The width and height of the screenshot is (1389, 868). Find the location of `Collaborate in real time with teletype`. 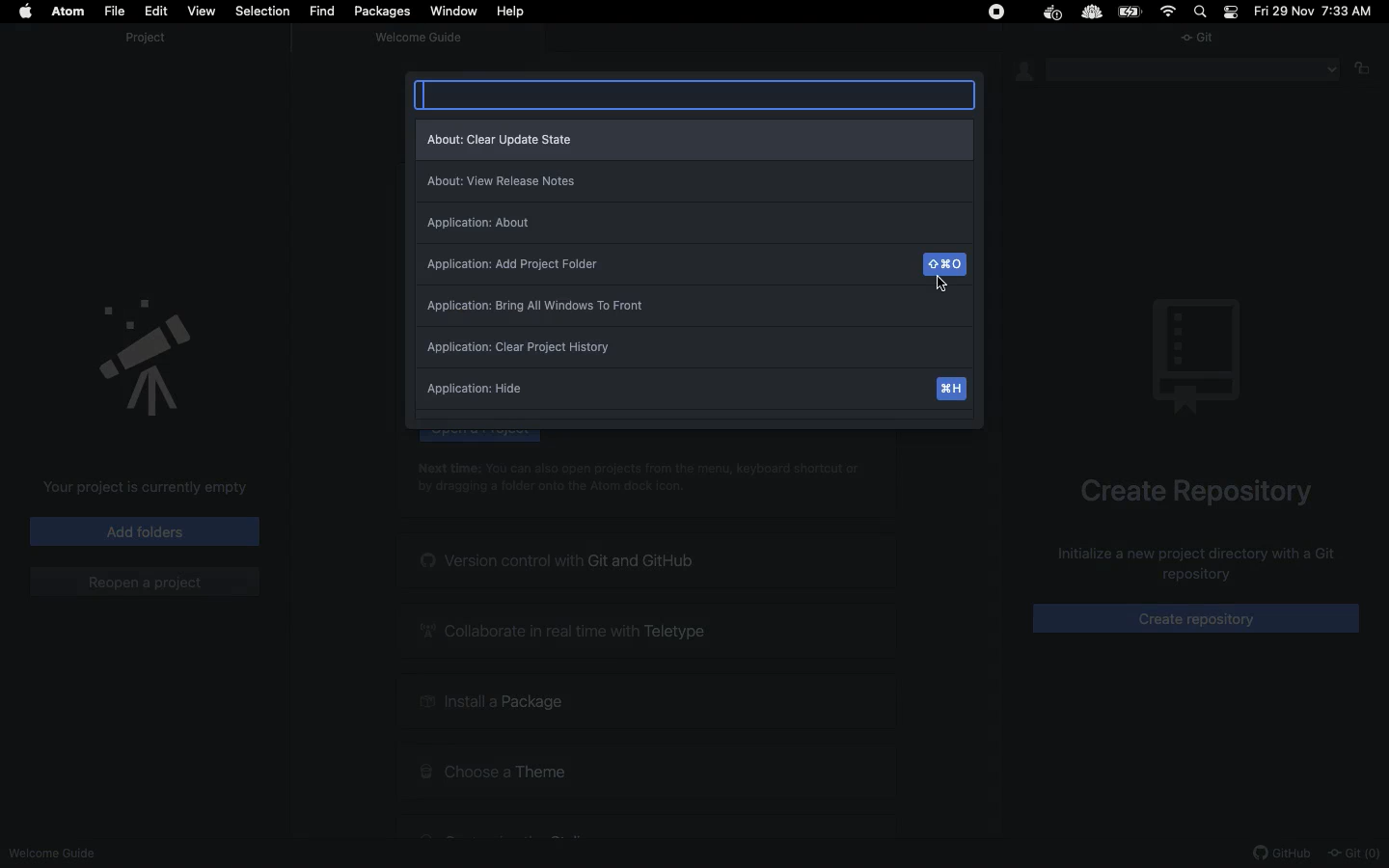

Collaborate in real time with teletype is located at coordinates (647, 632).